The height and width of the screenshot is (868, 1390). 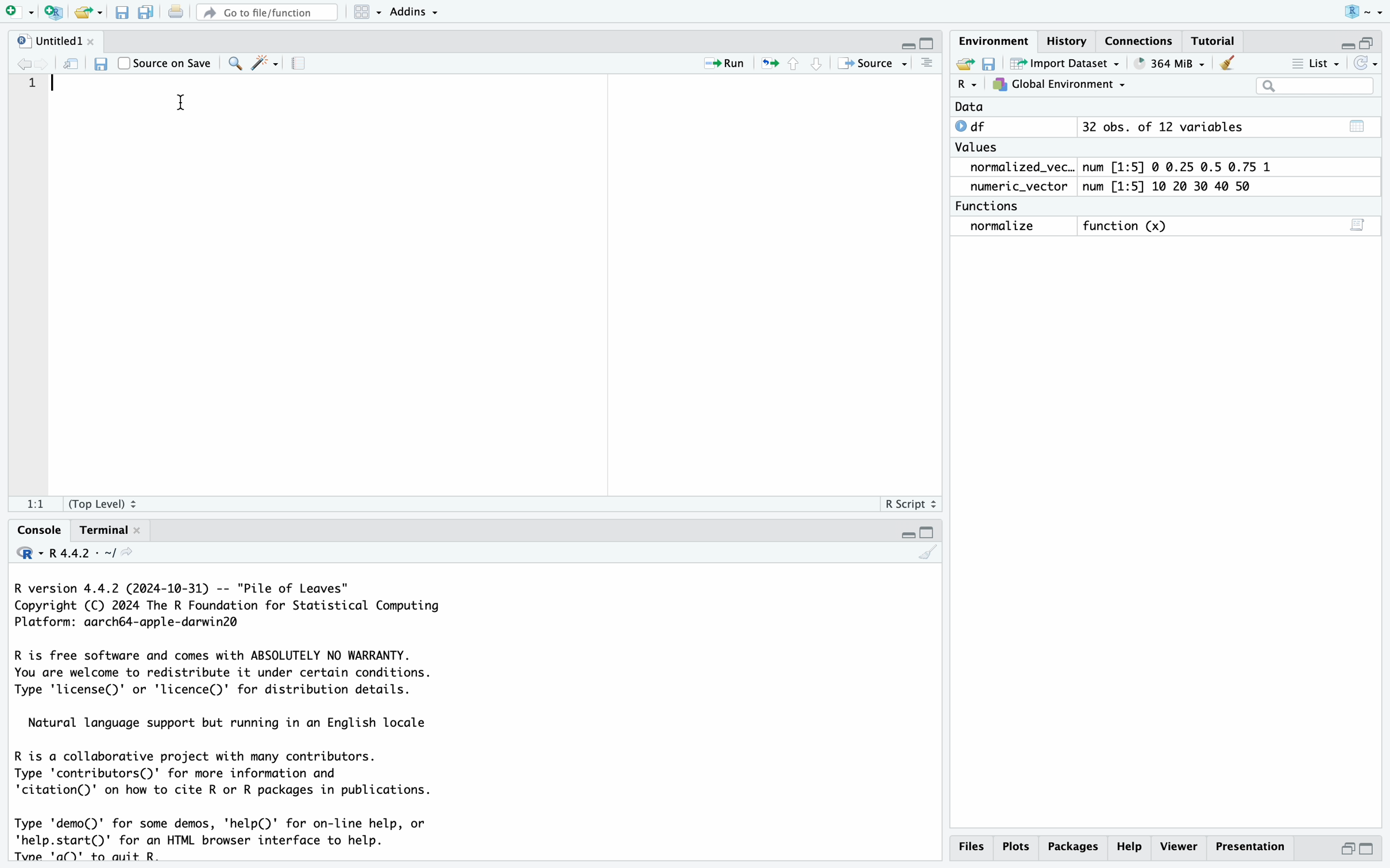 I want to click on Refresh, so click(x=1367, y=63).